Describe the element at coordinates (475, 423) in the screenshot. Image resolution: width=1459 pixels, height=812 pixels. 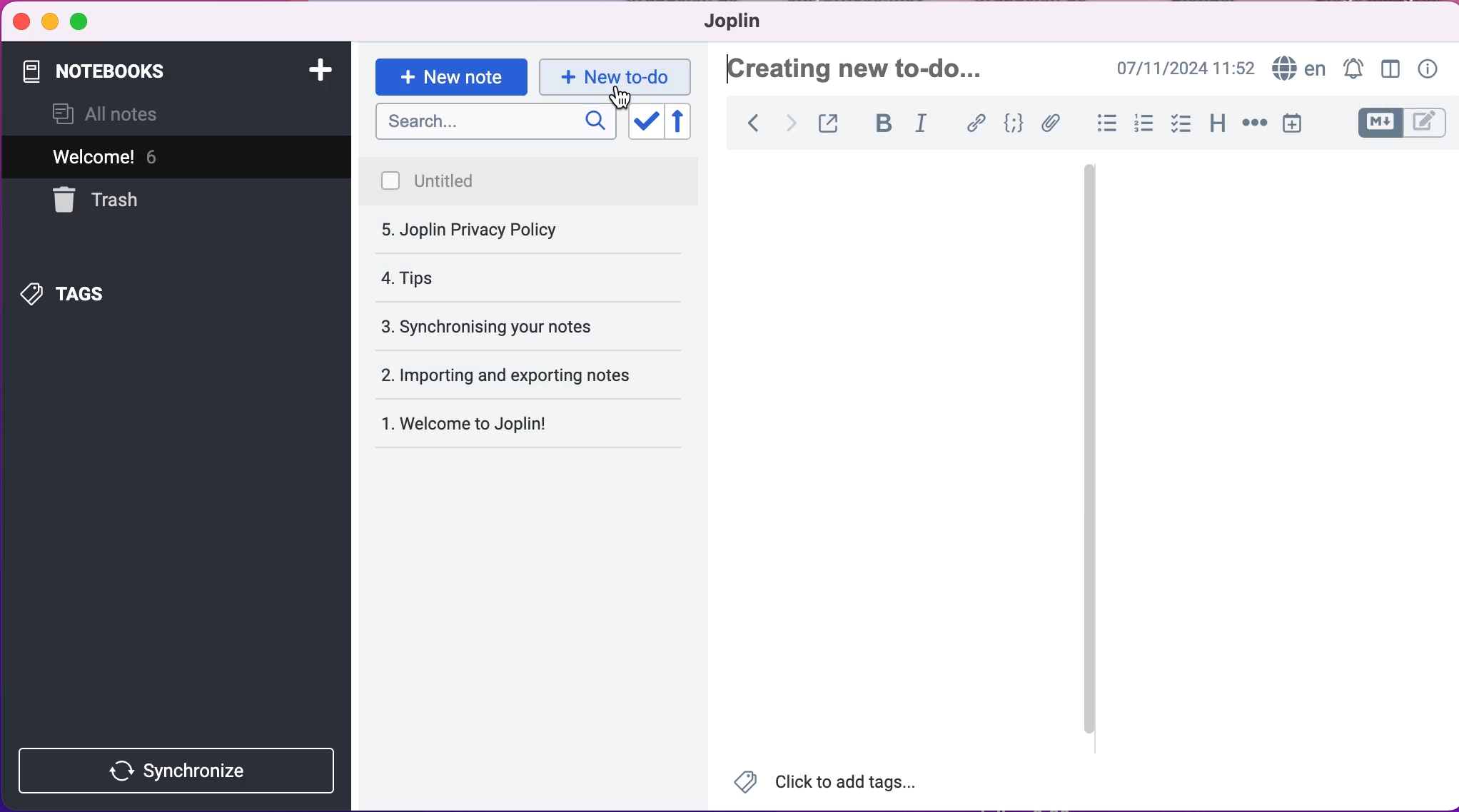
I see `Welcome to Joplin!` at that location.